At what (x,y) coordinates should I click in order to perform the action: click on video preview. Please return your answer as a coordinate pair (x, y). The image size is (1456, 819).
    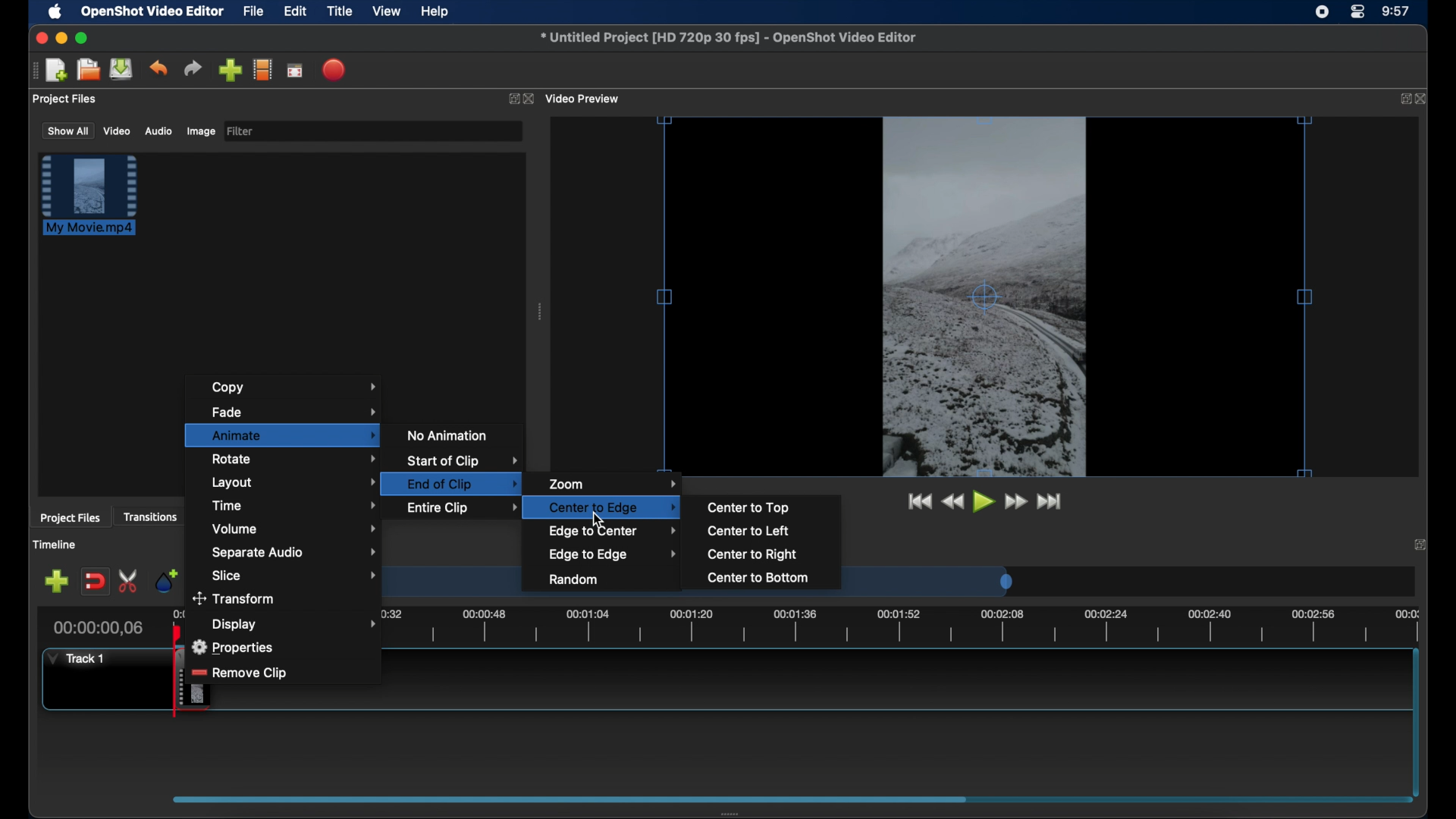
    Looking at the image, I should click on (985, 298).